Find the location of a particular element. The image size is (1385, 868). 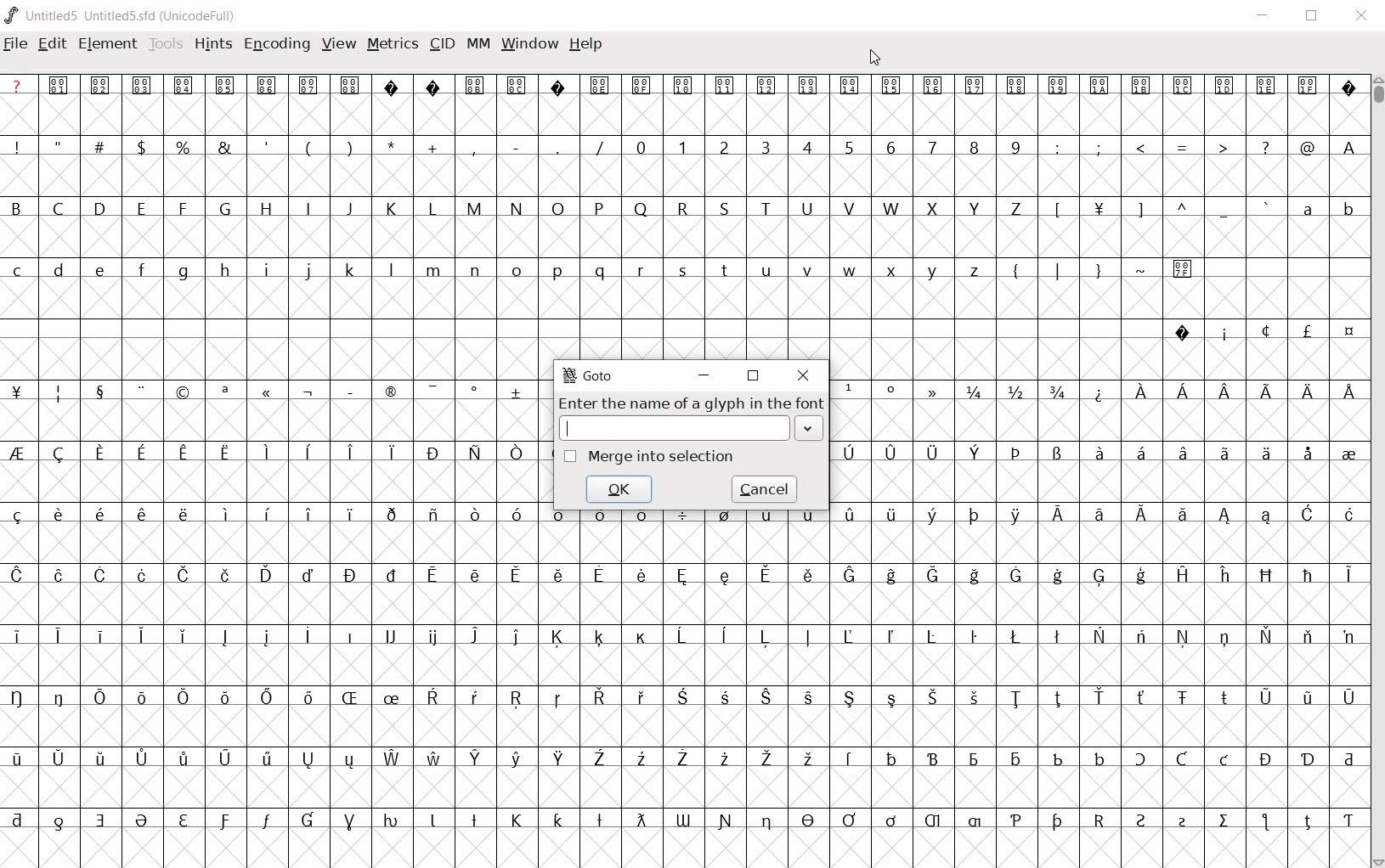

Symbol is located at coordinates (348, 389).